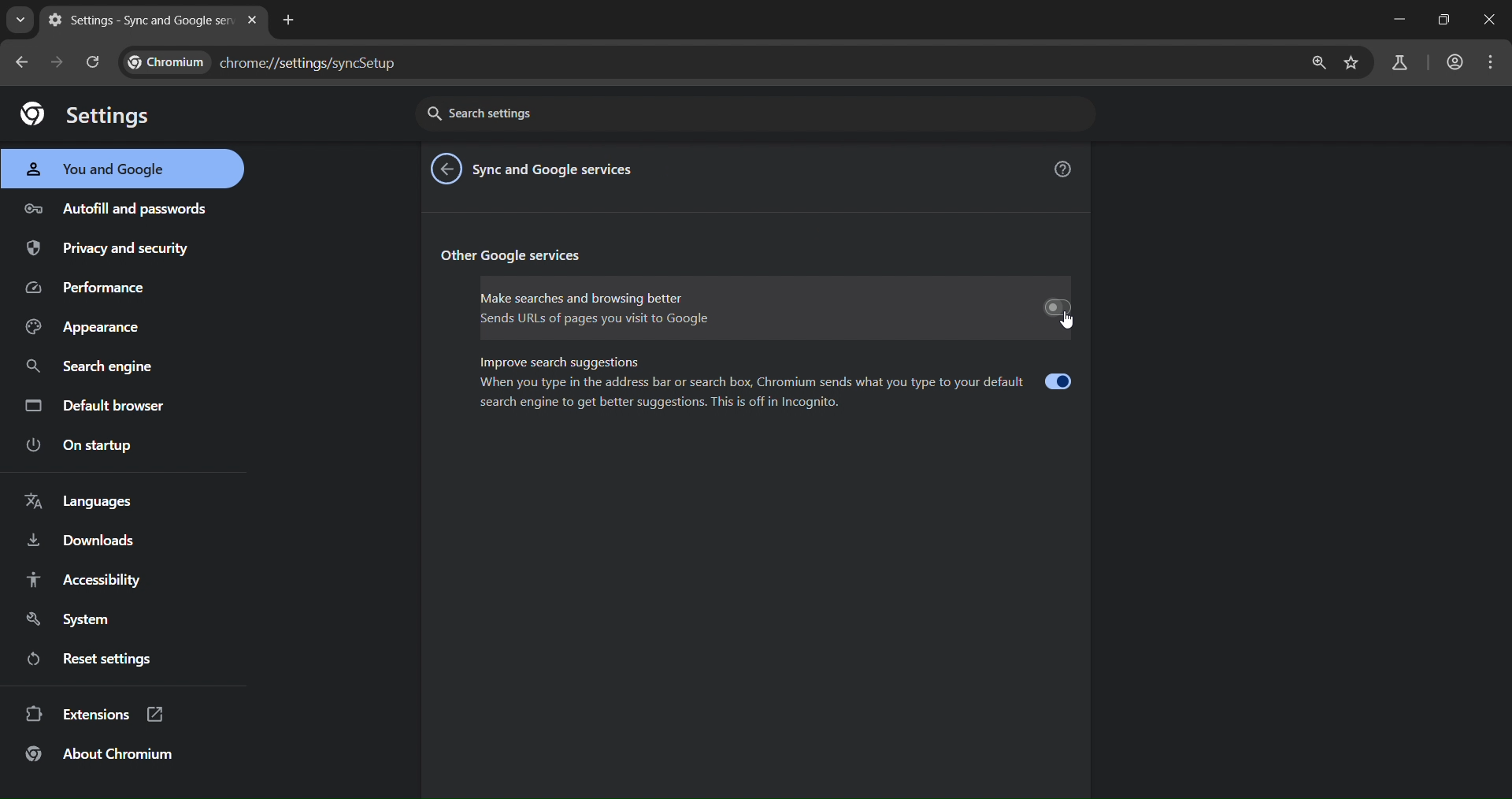 This screenshot has height=799, width=1512. What do you see at coordinates (1489, 63) in the screenshot?
I see `menu` at bounding box center [1489, 63].